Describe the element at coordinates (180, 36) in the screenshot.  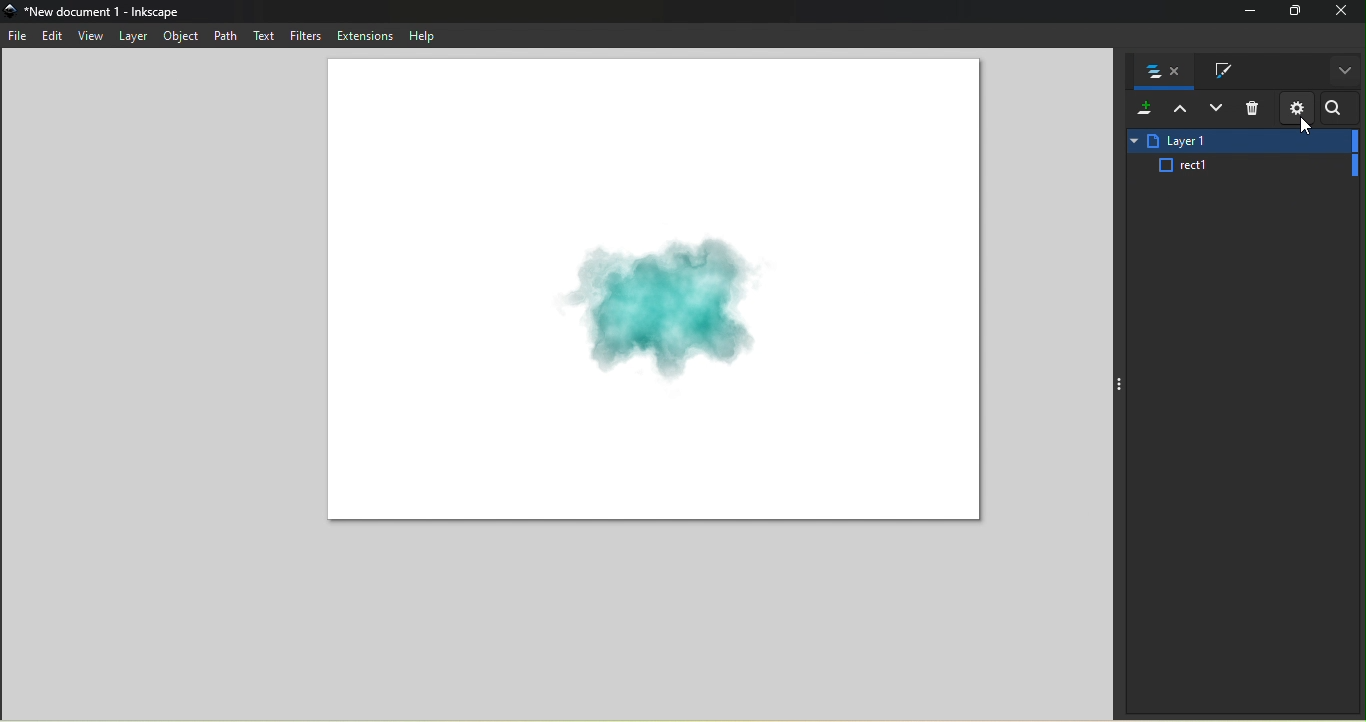
I see `Object` at that location.